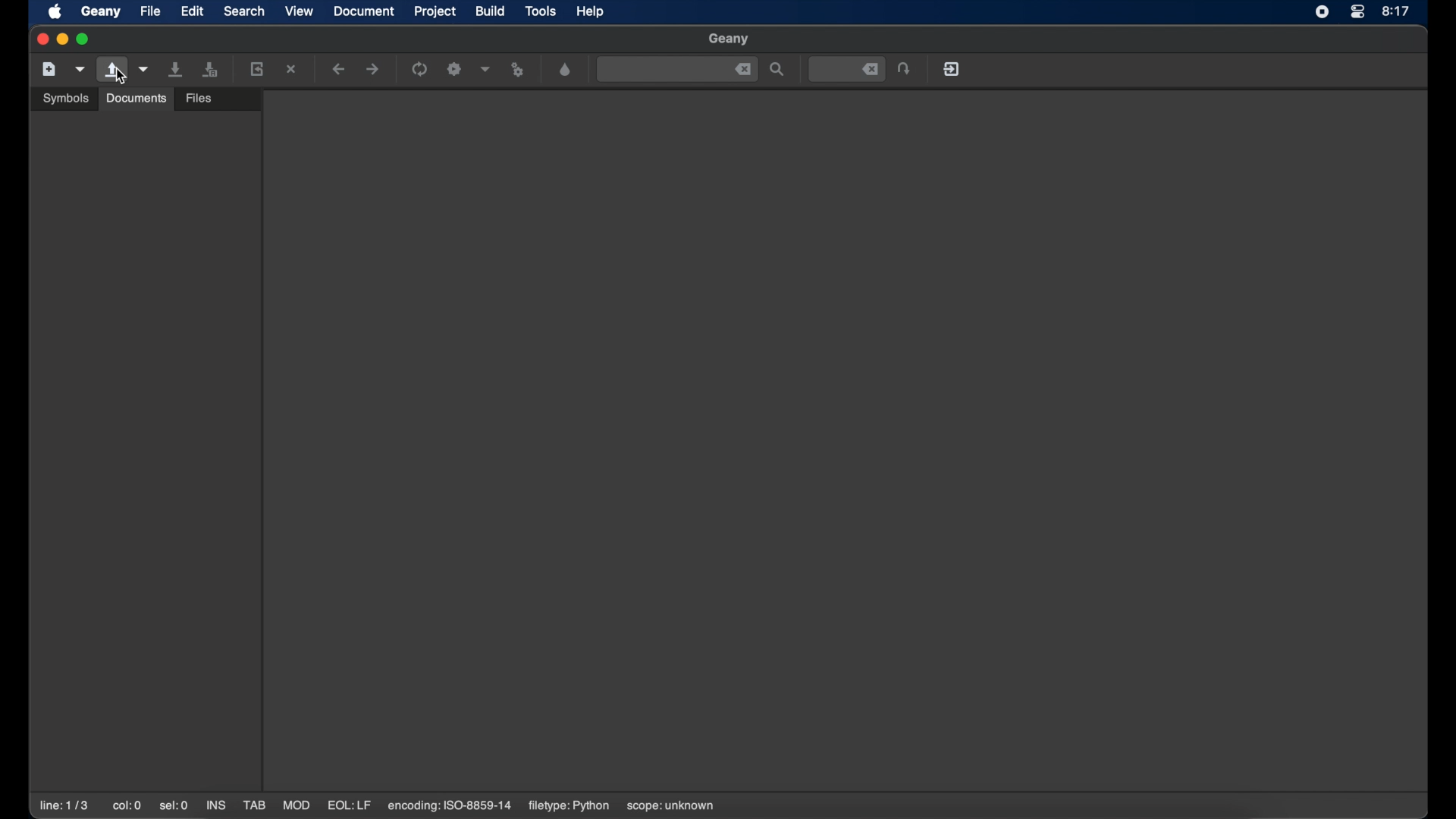  Describe the element at coordinates (67, 98) in the screenshot. I see `symbols` at that location.